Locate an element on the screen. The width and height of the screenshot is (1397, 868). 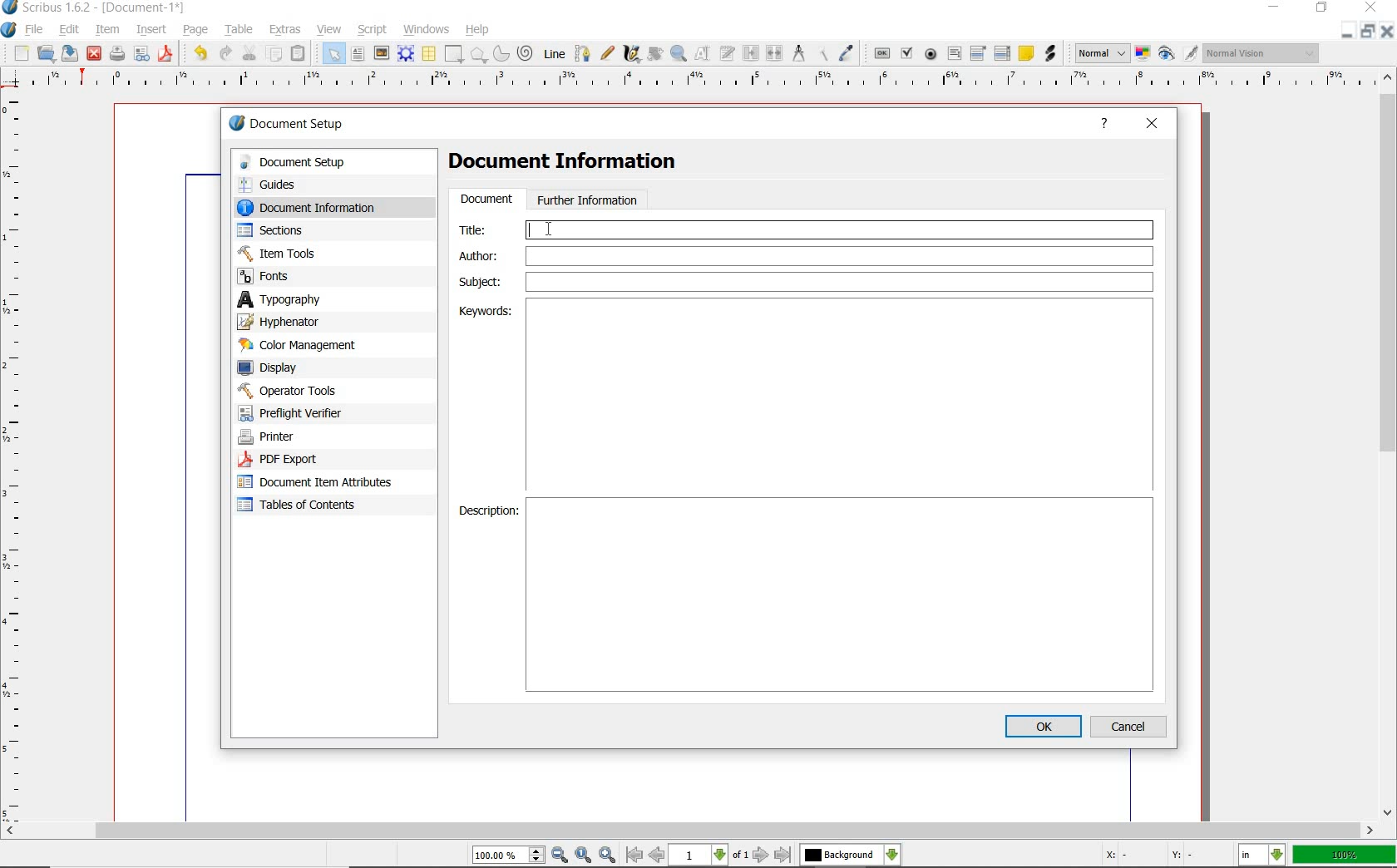
zoom factor is located at coordinates (1343, 856).